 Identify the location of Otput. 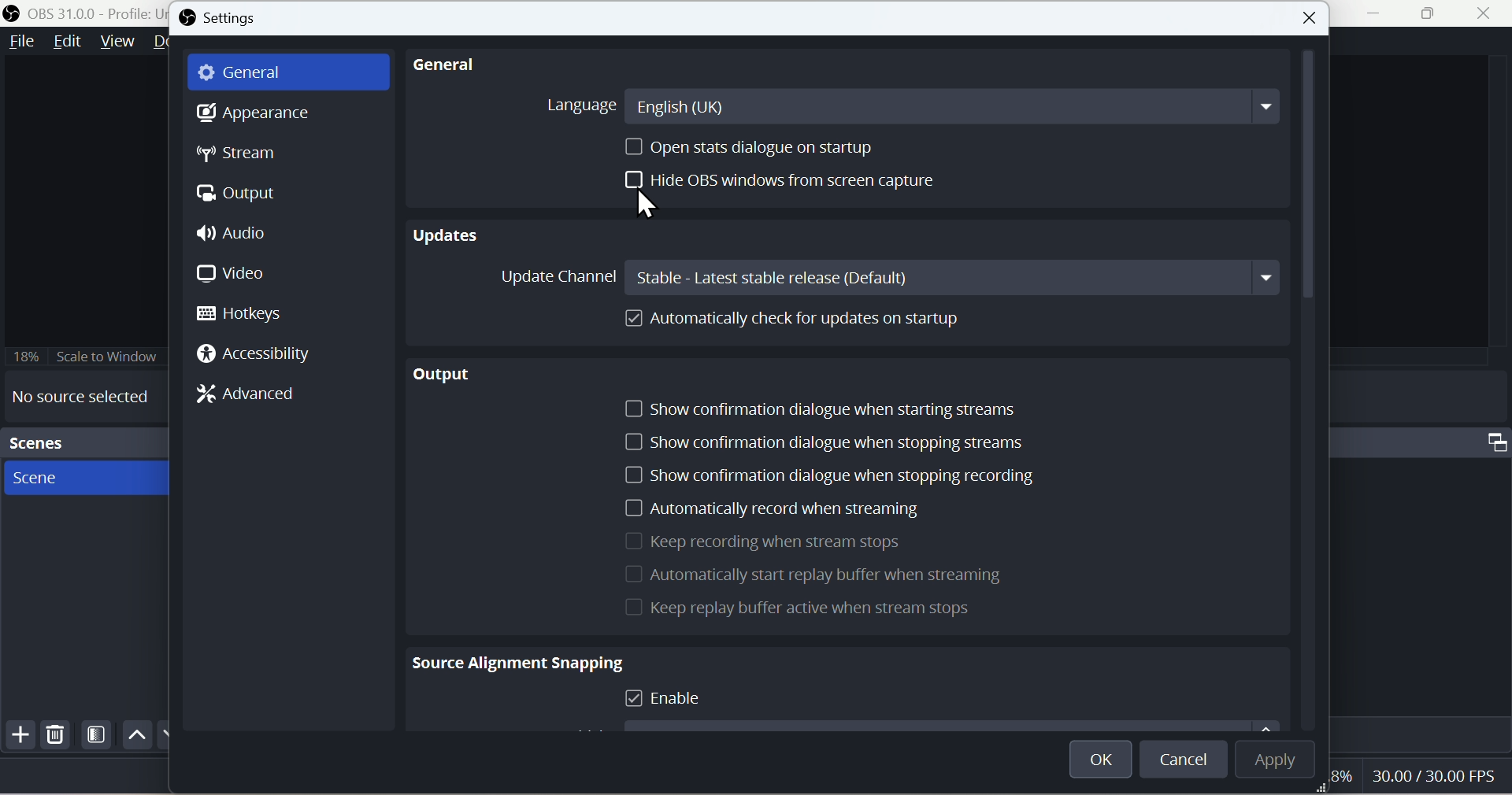
(241, 195).